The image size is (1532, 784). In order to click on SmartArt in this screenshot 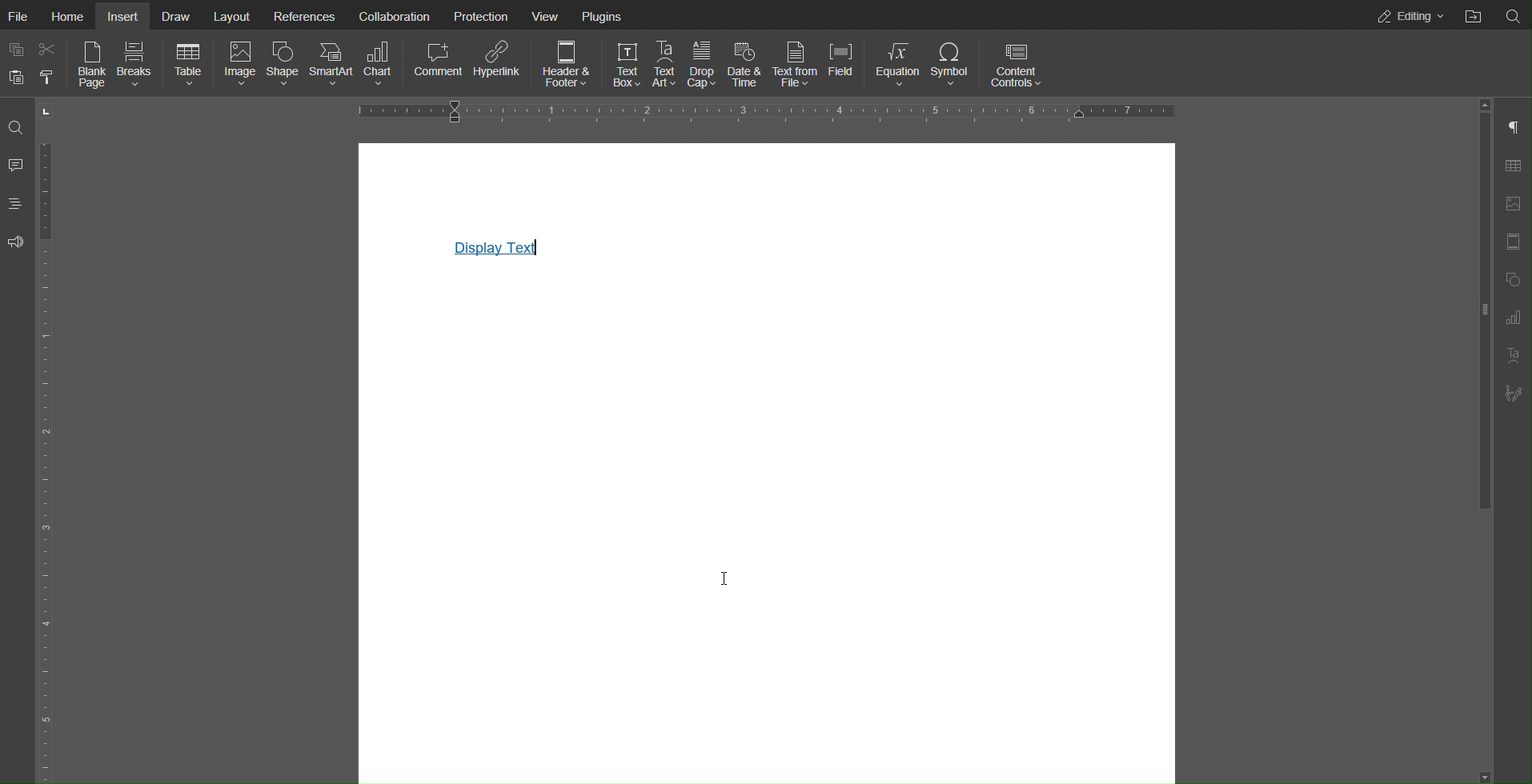, I will do `click(332, 65)`.